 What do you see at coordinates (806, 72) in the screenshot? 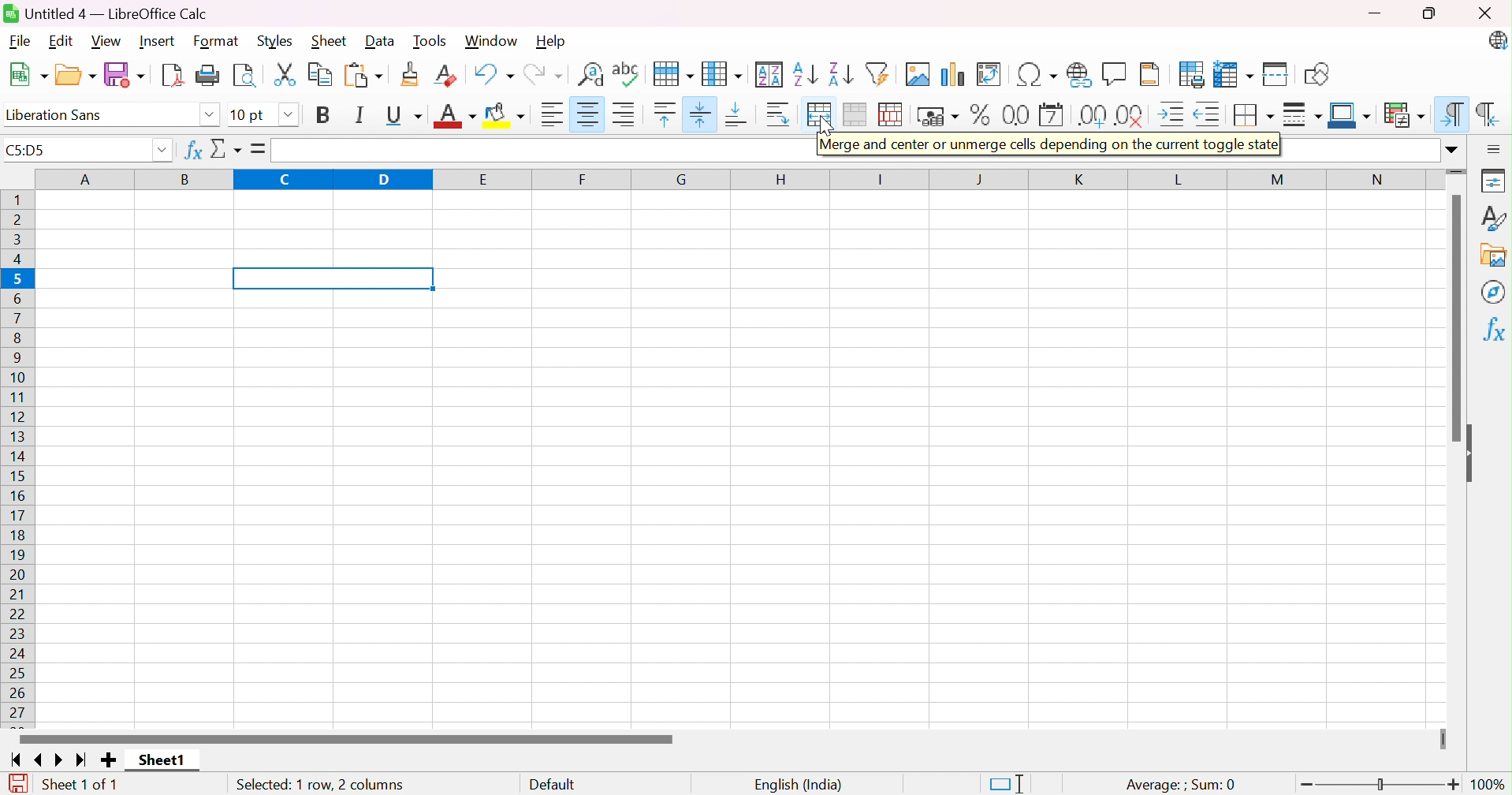
I see `Sort Ascending` at bounding box center [806, 72].